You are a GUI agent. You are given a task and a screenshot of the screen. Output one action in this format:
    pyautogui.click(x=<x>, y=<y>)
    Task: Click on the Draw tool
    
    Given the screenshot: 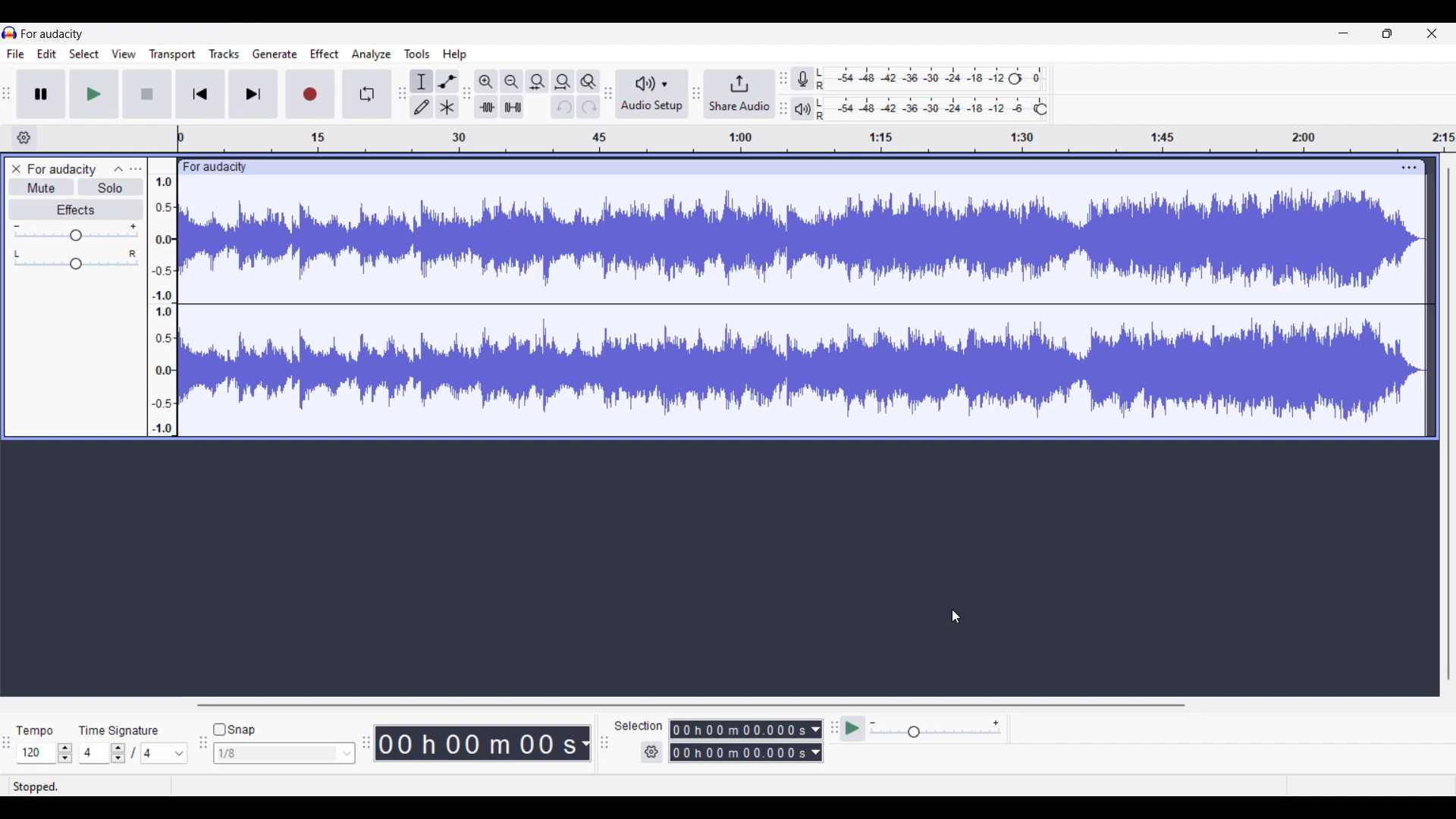 What is the action you would take?
    pyautogui.click(x=422, y=107)
    